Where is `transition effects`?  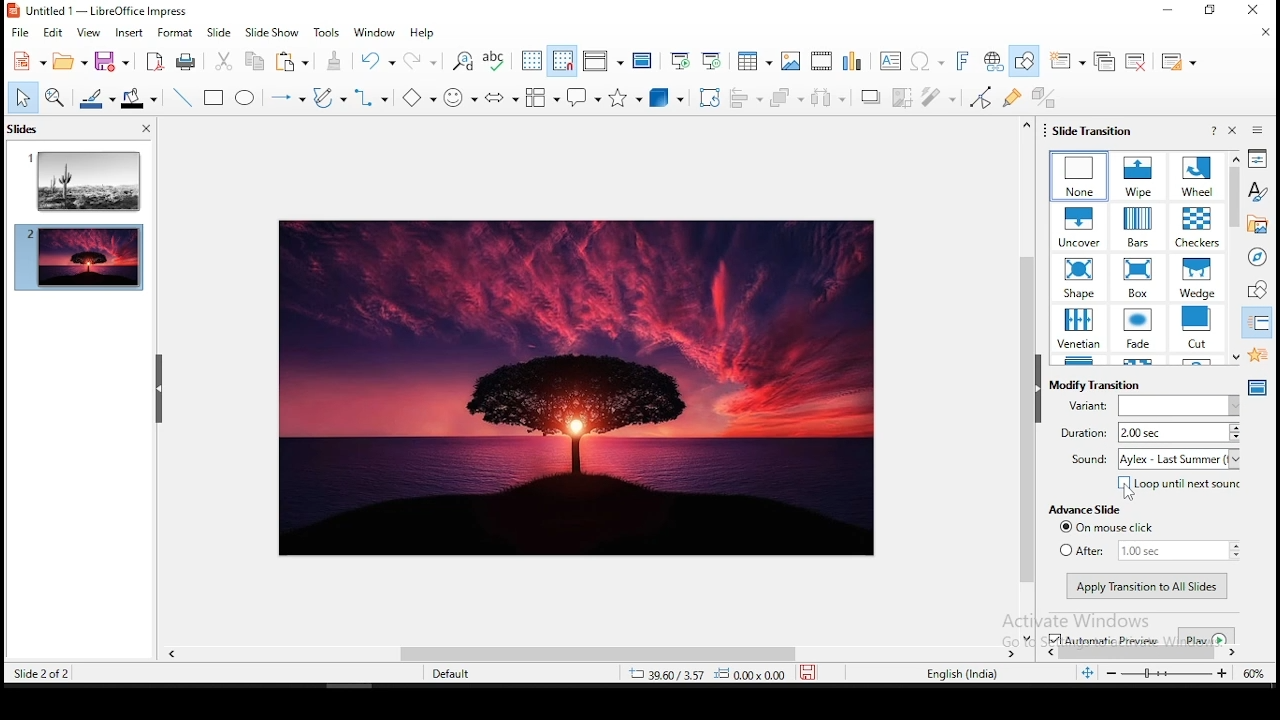
transition effects is located at coordinates (1136, 327).